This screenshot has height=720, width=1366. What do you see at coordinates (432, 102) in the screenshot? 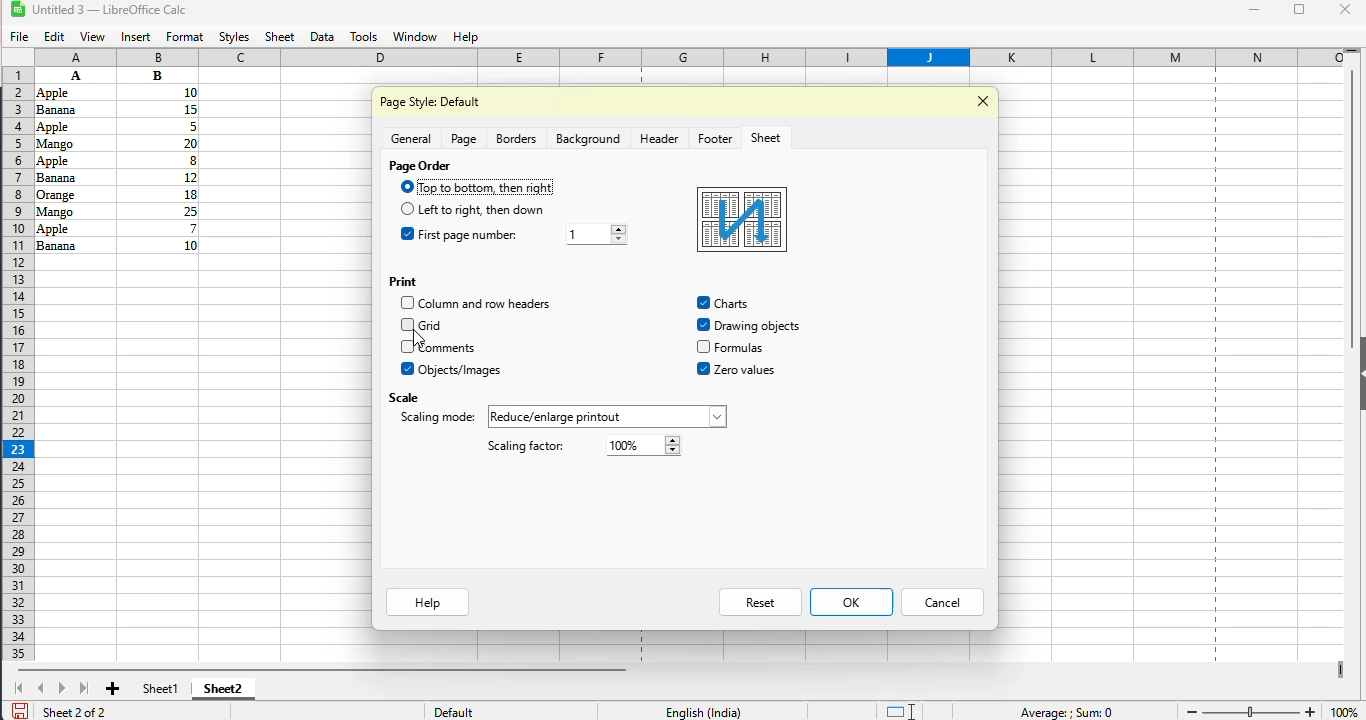
I see `page style default` at bounding box center [432, 102].